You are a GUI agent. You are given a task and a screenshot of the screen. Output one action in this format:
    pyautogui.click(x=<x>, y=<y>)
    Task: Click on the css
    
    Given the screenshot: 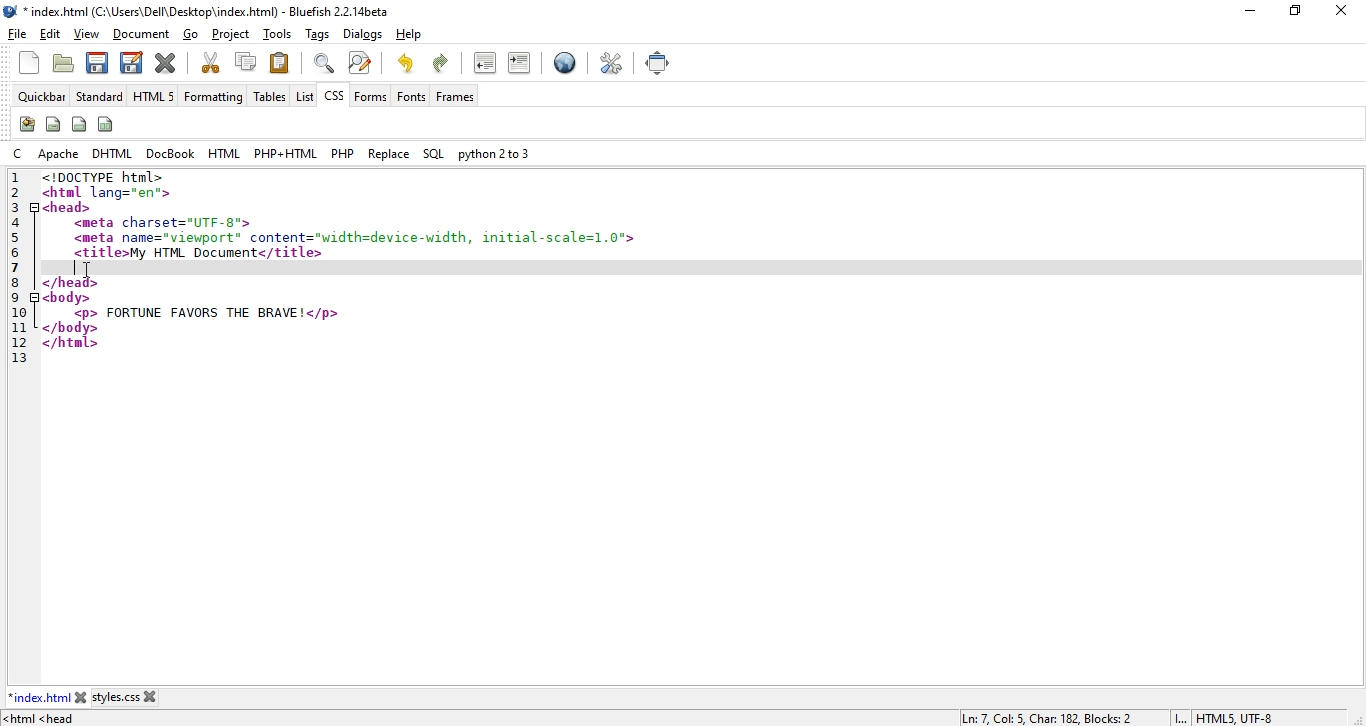 What is the action you would take?
    pyautogui.click(x=333, y=98)
    